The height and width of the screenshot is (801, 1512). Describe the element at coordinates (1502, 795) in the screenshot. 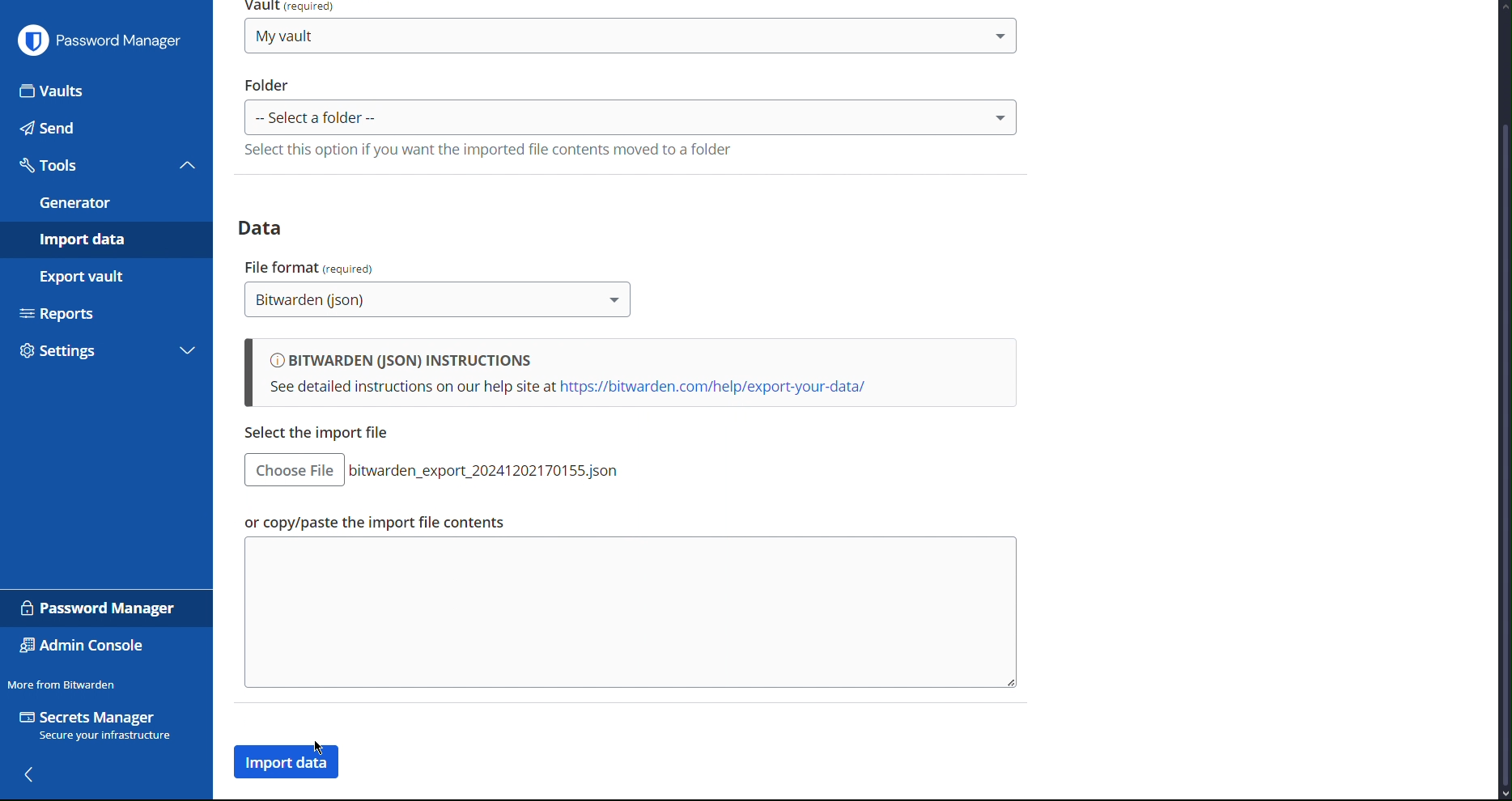

I see `scroll down` at that location.